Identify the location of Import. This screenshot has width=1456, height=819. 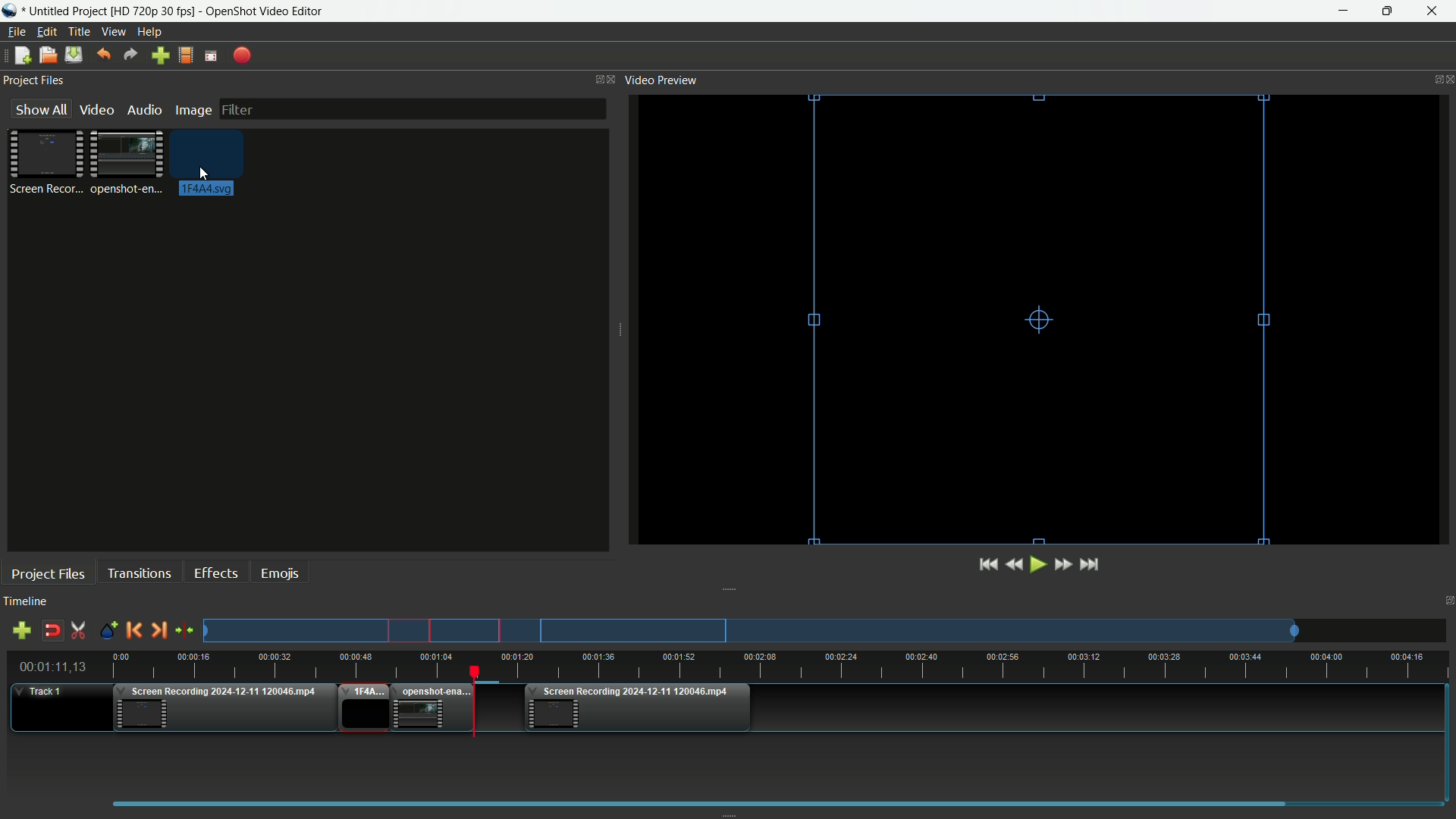
(162, 57).